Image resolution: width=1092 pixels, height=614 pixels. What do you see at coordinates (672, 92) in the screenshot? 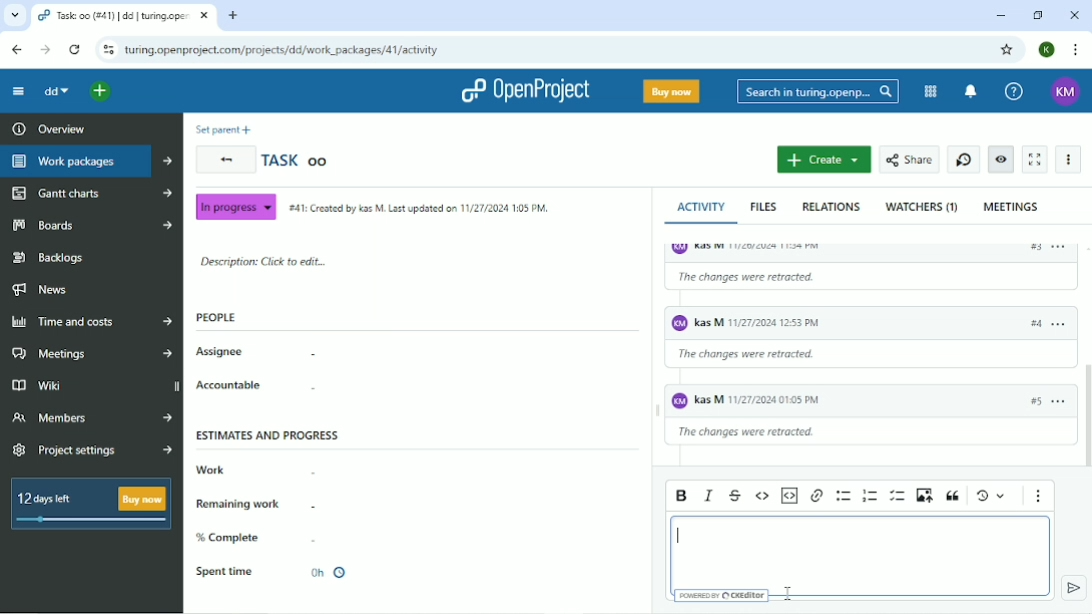
I see `Buy now` at bounding box center [672, 92].